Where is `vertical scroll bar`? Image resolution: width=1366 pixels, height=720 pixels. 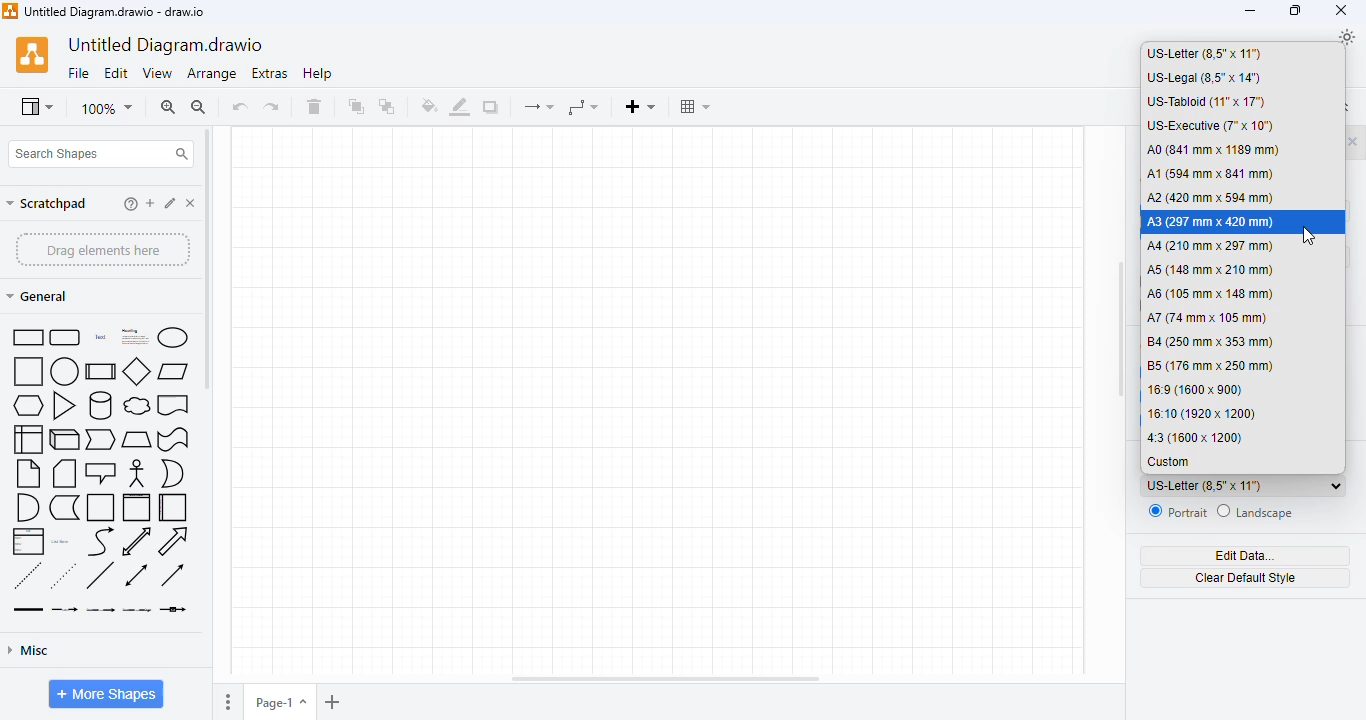 vertical scroll bar is located at coordinates (207, 258).